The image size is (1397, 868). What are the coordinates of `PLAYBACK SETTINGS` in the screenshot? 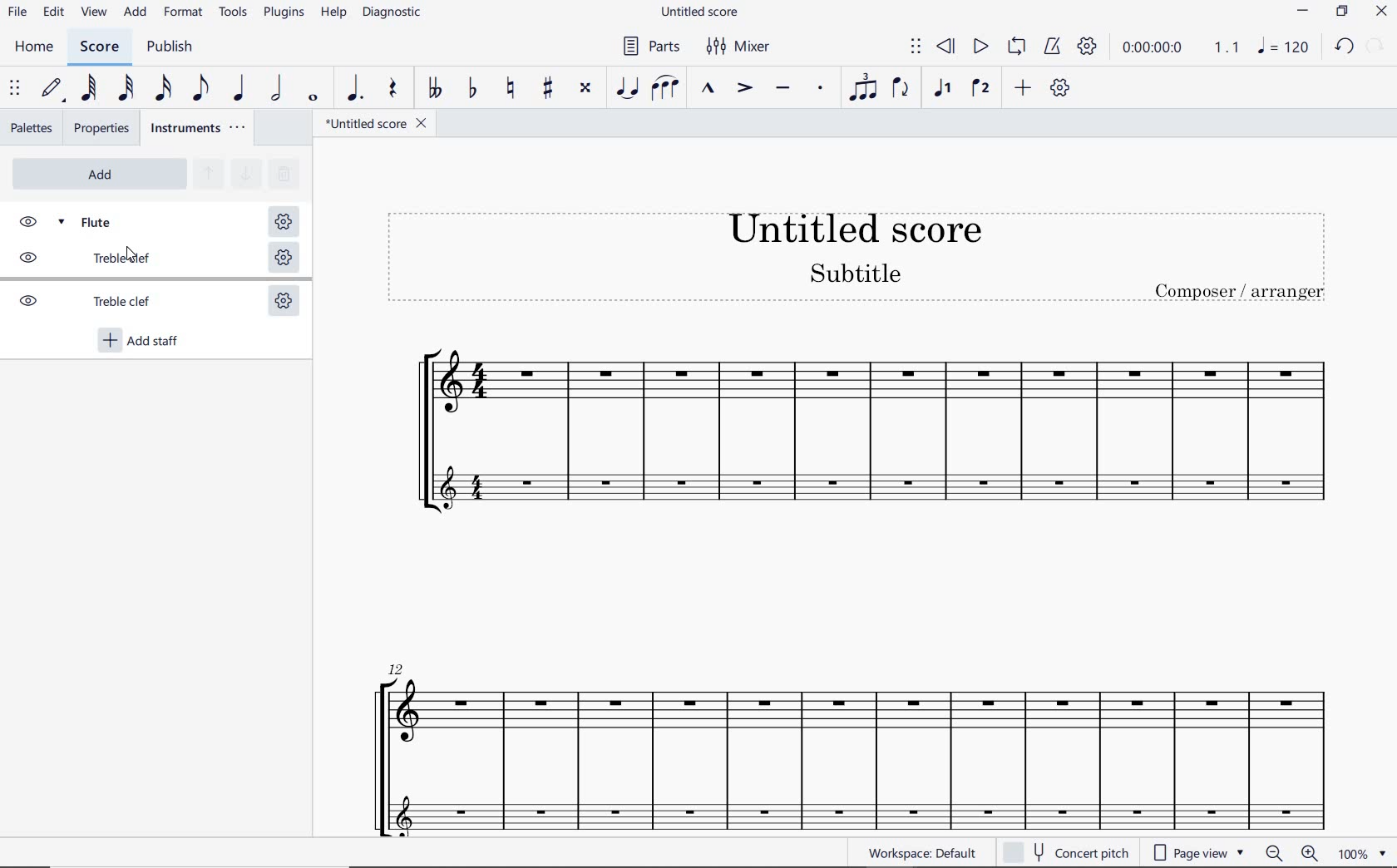 It's located at (1087, 47).